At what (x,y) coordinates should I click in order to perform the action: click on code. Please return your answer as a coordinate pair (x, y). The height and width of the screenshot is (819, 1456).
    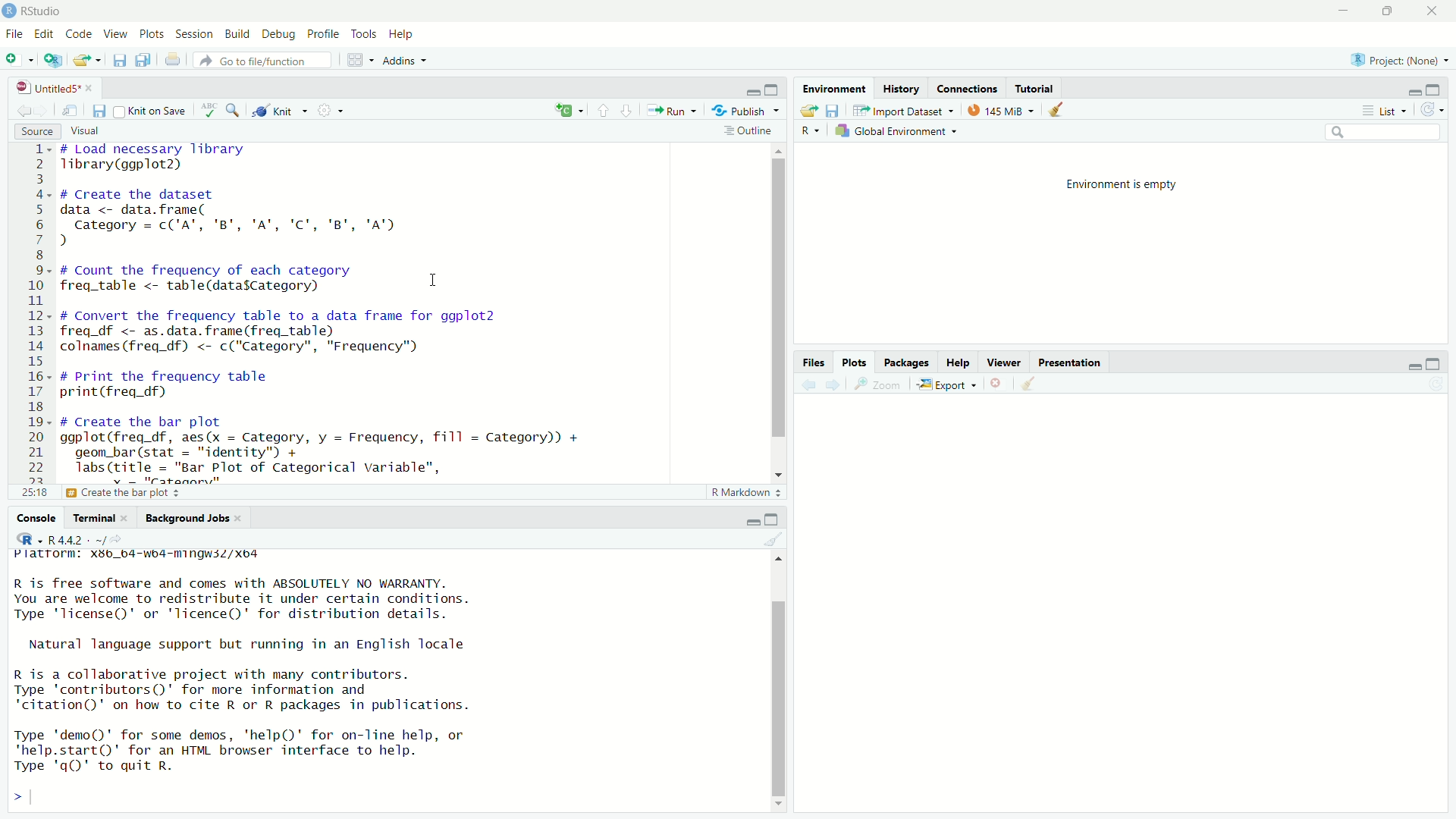
    Looking at the image, I should click on (79, 32).